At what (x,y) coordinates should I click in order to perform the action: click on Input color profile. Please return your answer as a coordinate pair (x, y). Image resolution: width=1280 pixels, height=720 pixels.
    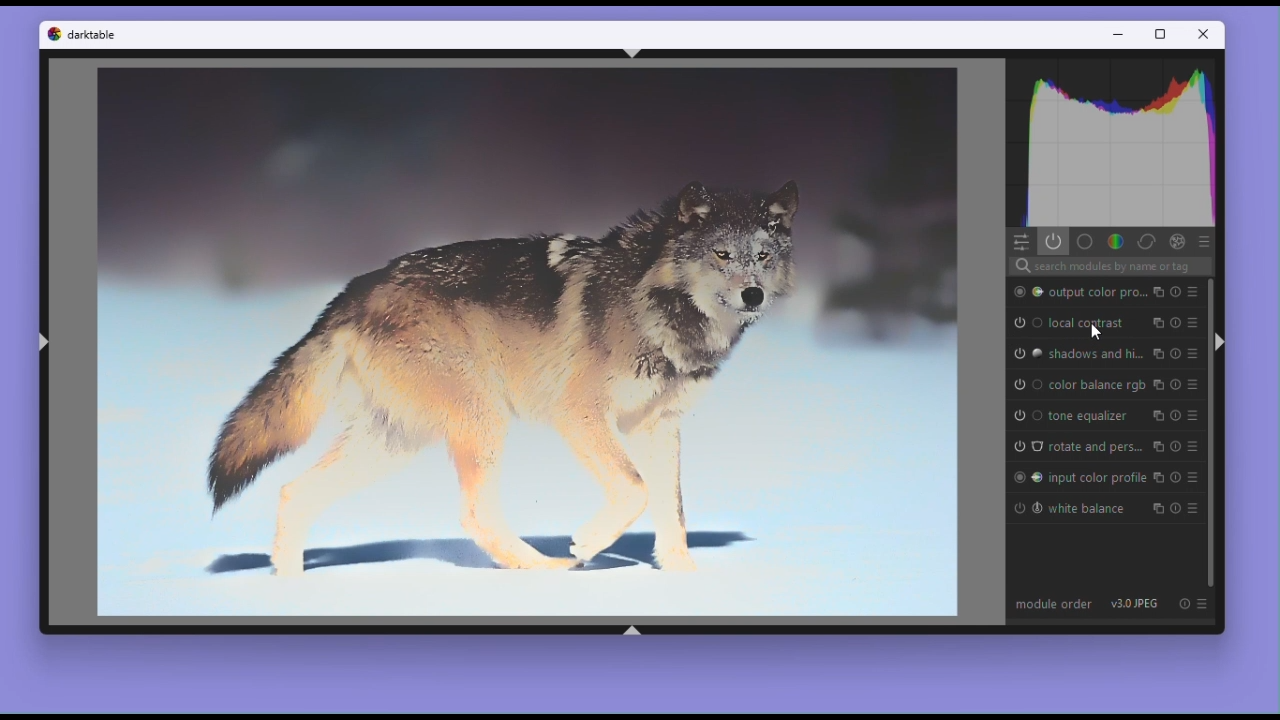
    Looking at the image, I should click on (1097, 475).